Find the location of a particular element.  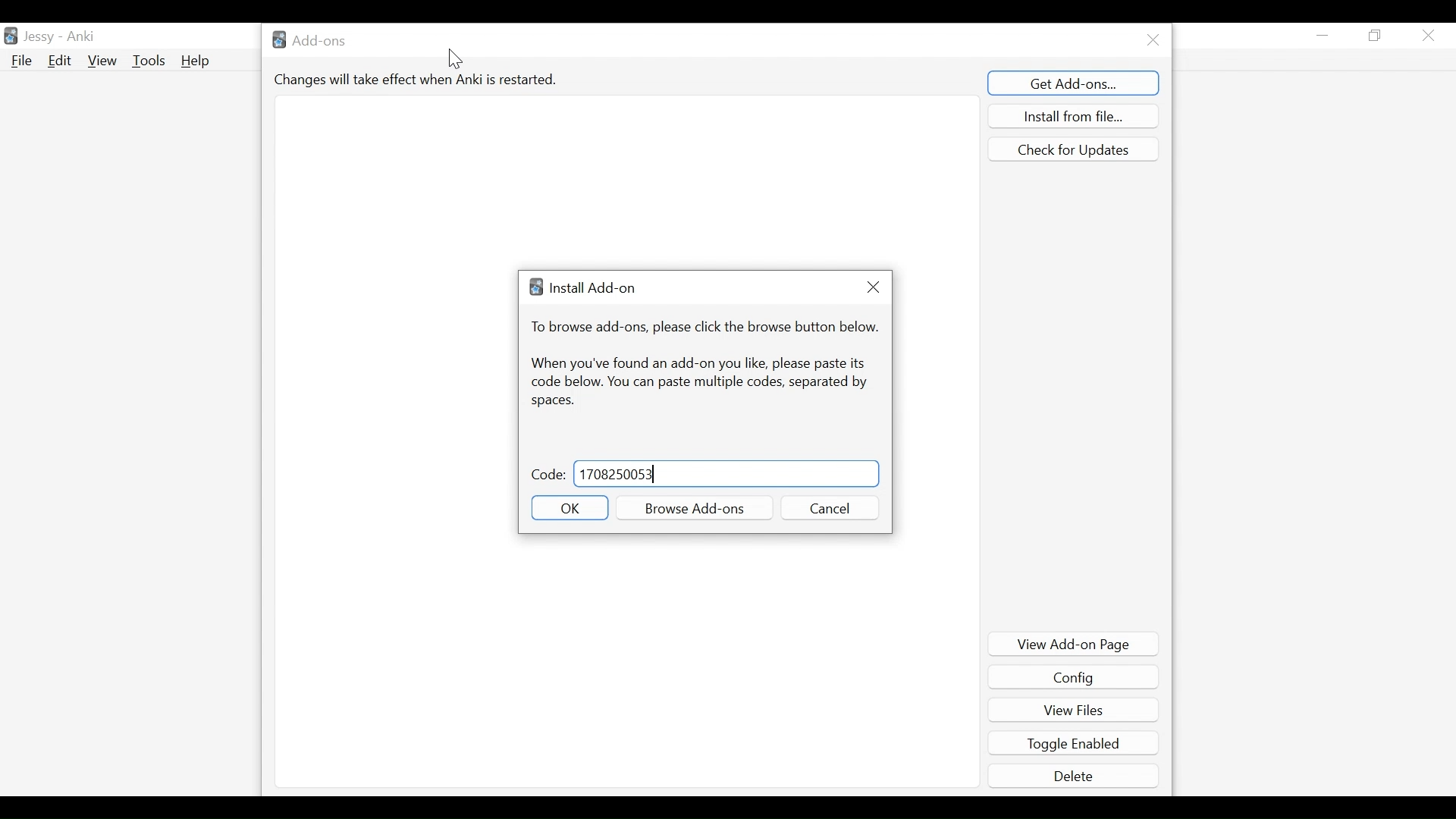

minimize is located at coordinates (1323, 35).